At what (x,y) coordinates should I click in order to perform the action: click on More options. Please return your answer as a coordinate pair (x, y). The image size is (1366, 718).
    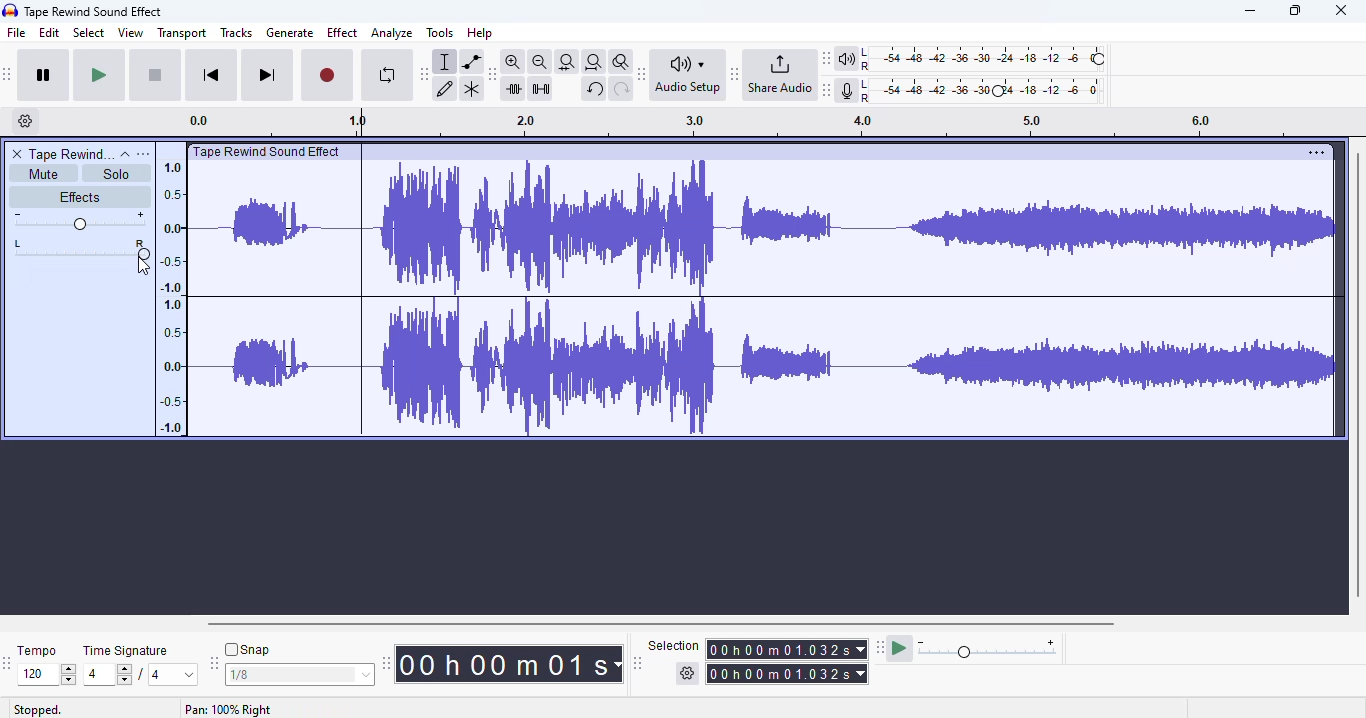
    Looking at the image, I should click on (1313, 152).